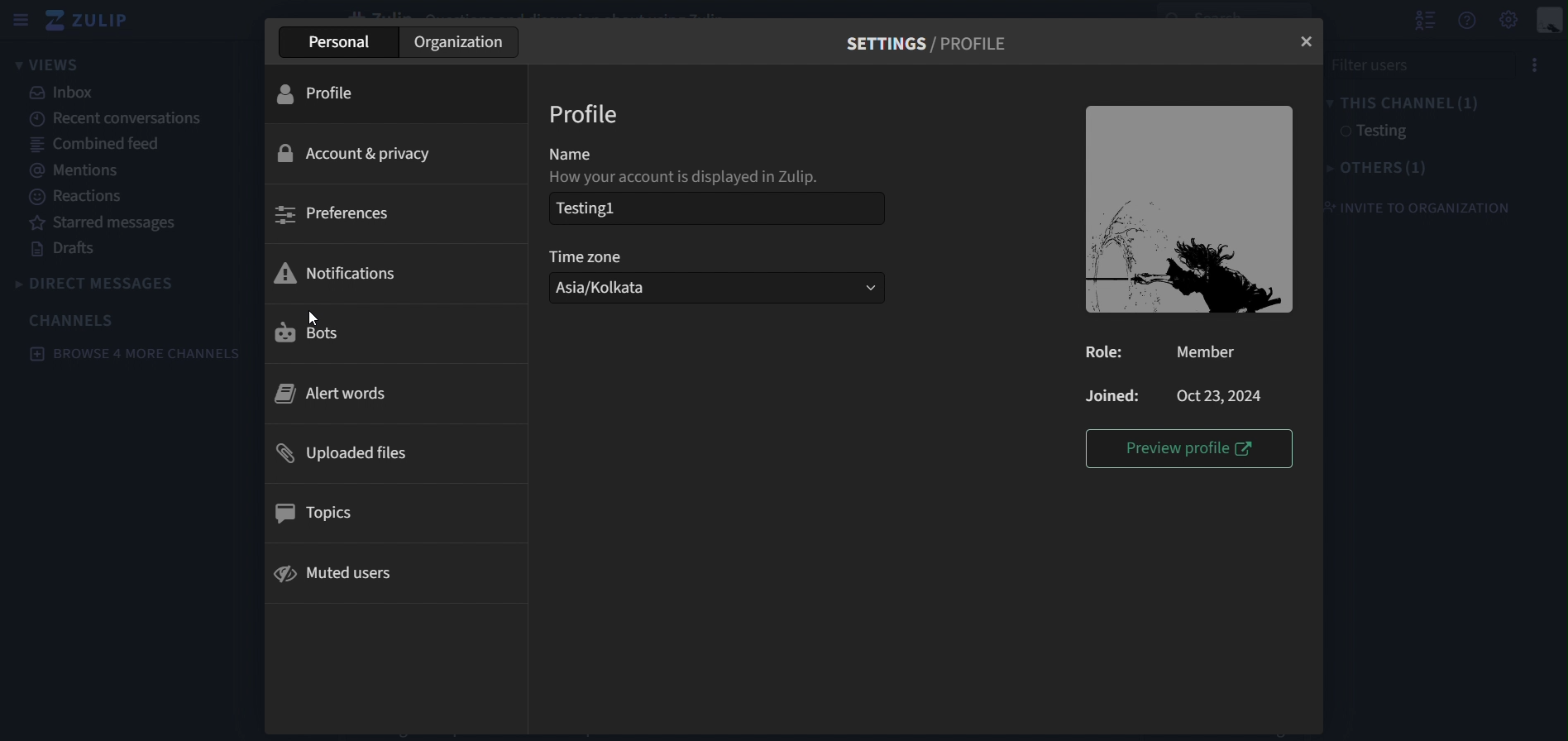 The height and width of the screenshot is (741, 1568). I want to click on filter users, so click(1405, 64).